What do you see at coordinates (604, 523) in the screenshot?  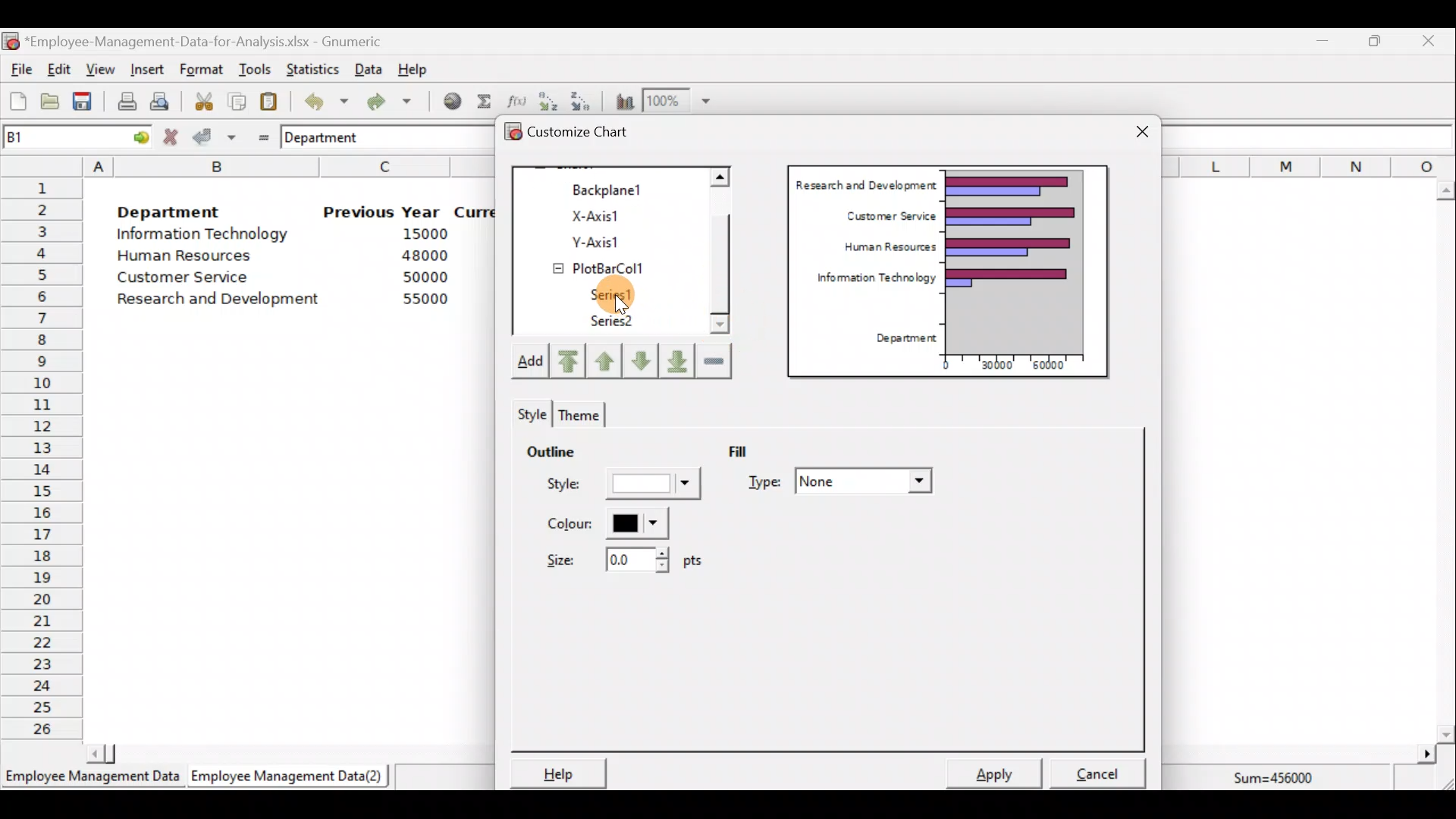 I see `Color` at bounding box center [604, 523].